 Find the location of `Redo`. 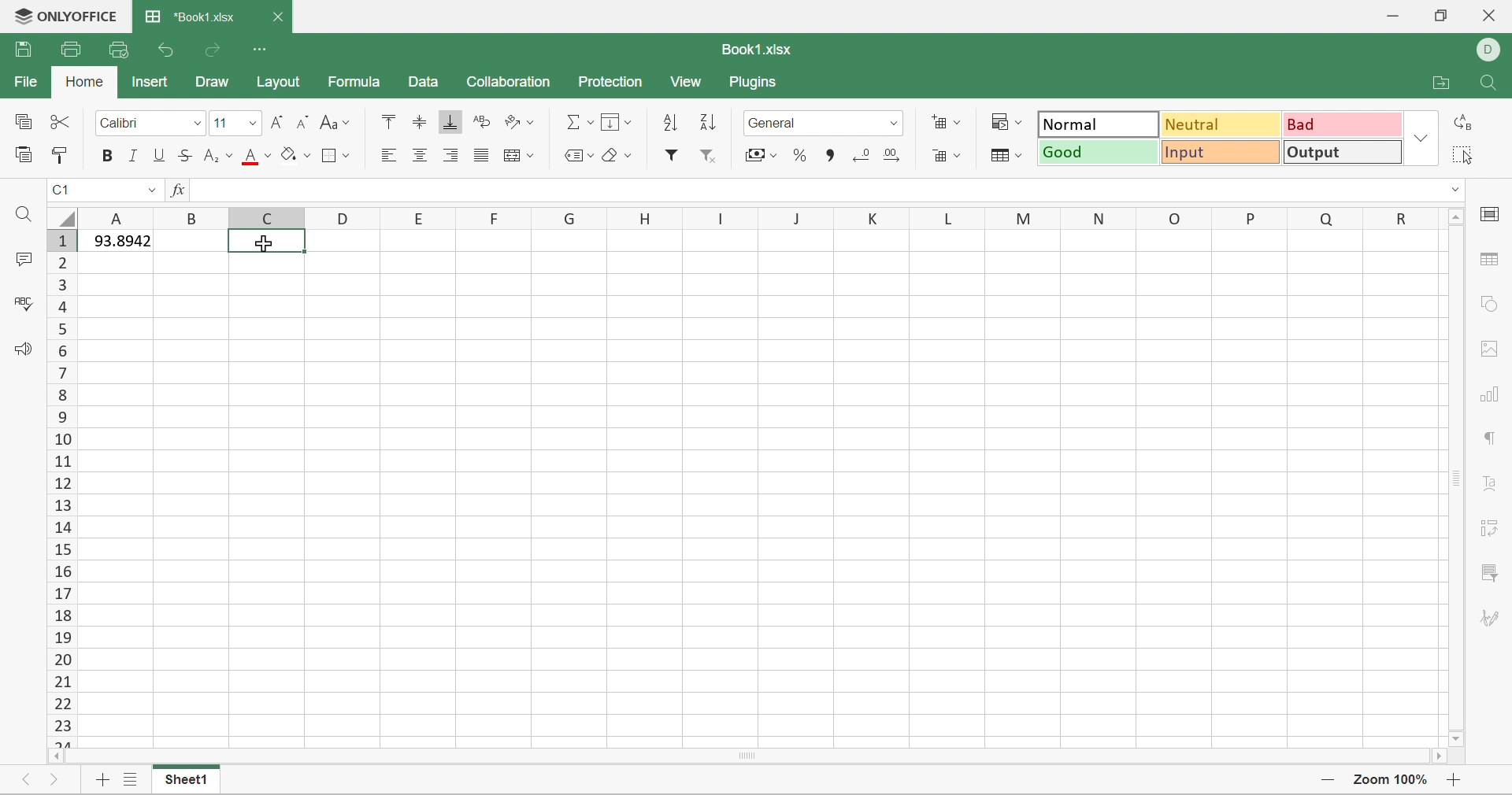

Redo is located at coordinates (215, 49).